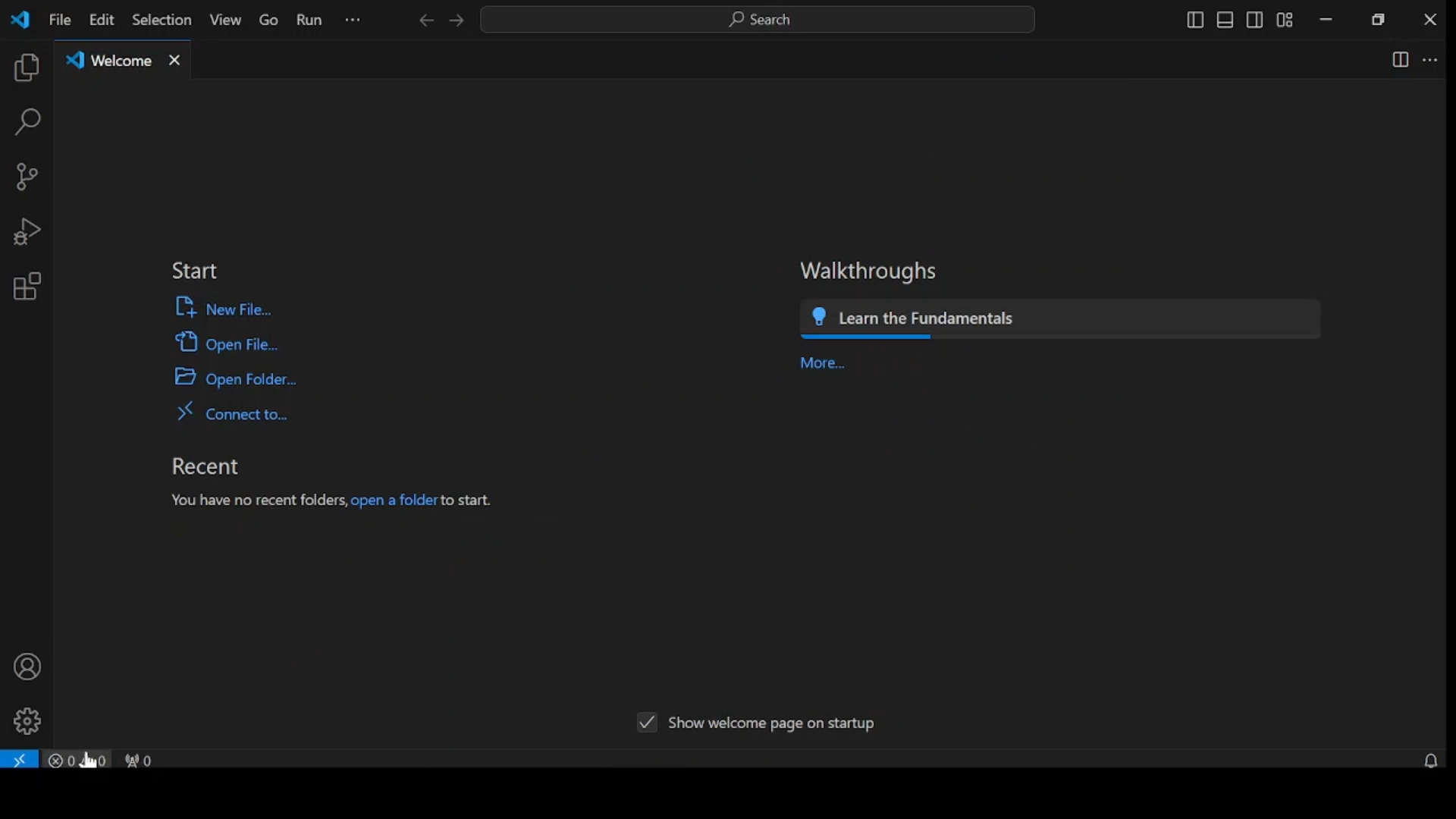 The height and width of the screenshot is (819, 1456). What do you see at coordinates (77, 760) in the screenshot?
I see `problems panel` at bounding box center [77, 760].